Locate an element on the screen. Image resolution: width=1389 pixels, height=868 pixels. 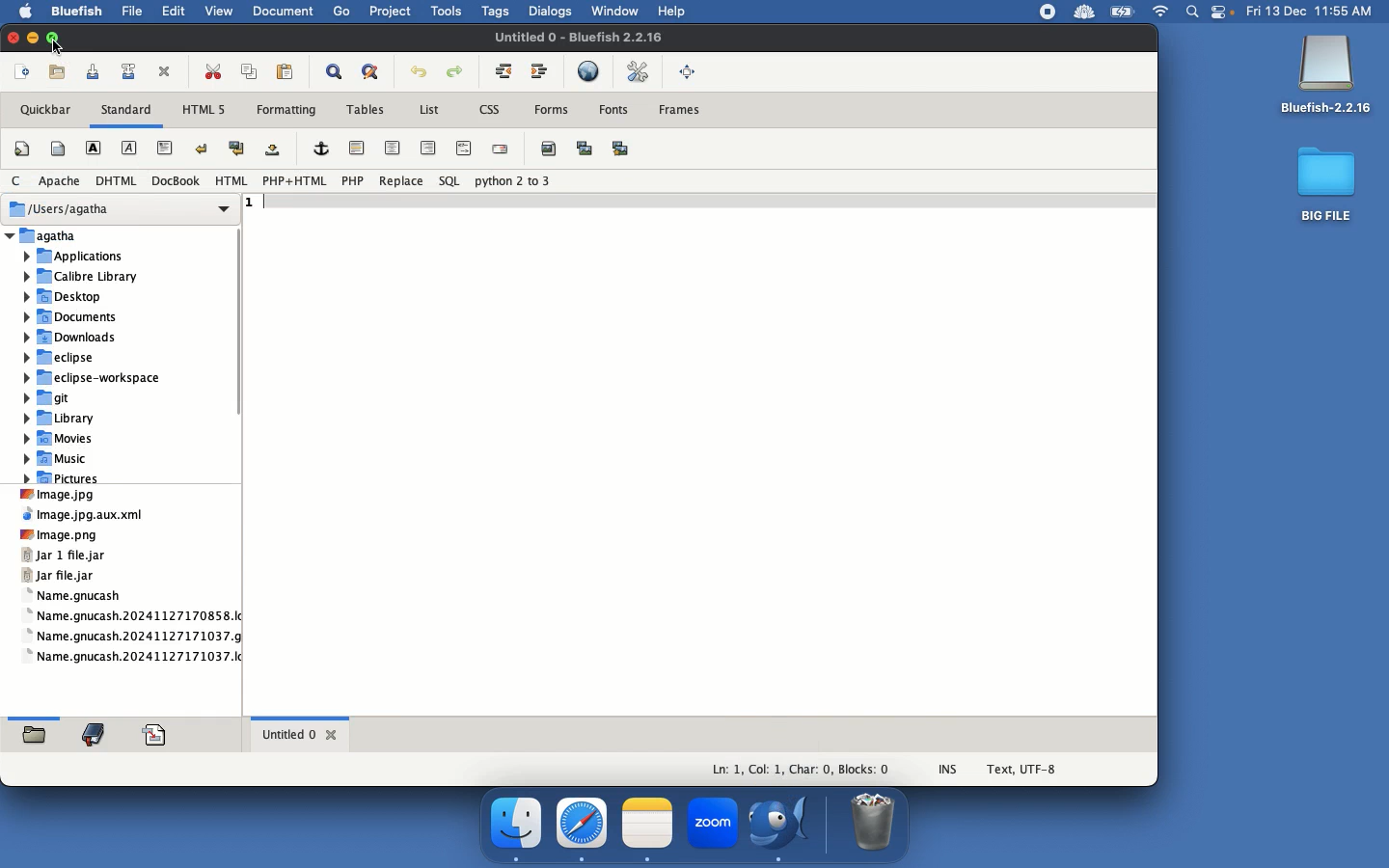
tools is located at coordinates (443, 14).